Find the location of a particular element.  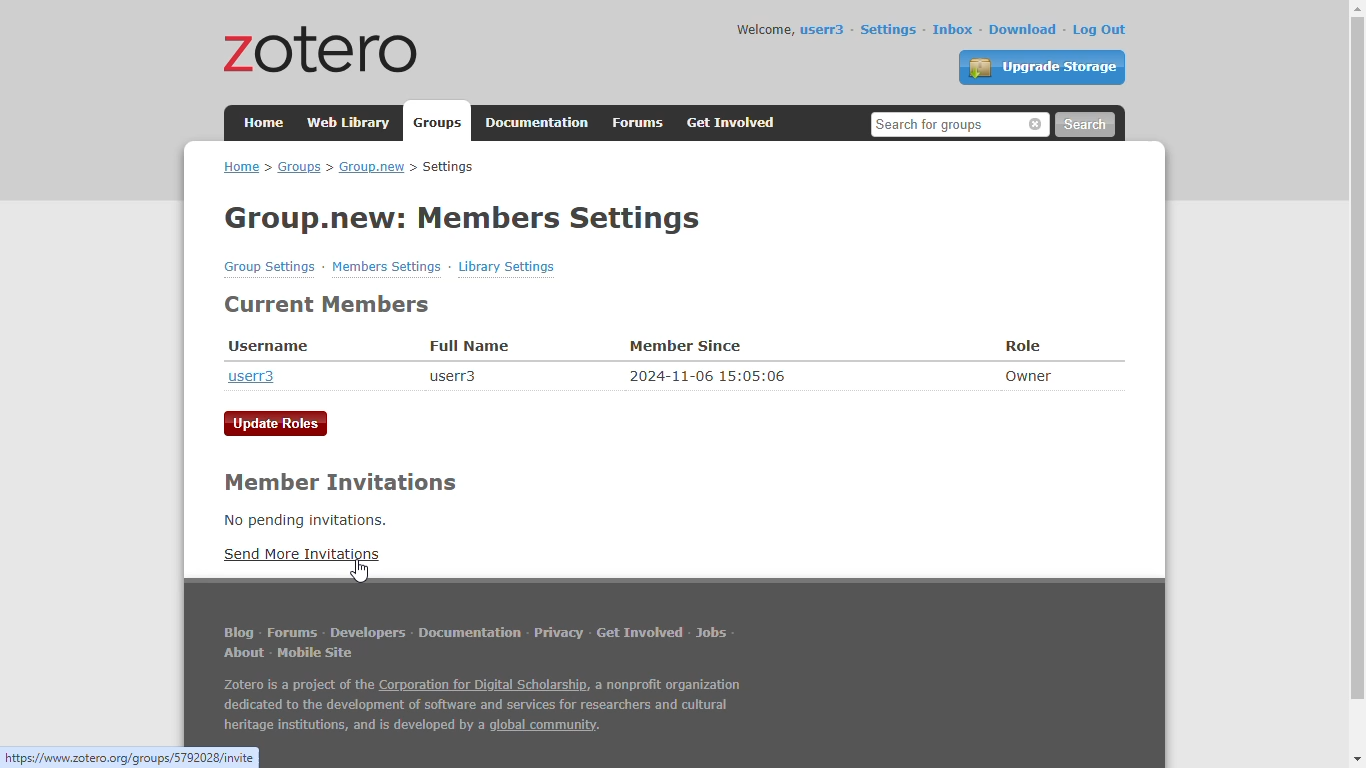

forums is located at coordinates (292, 632).